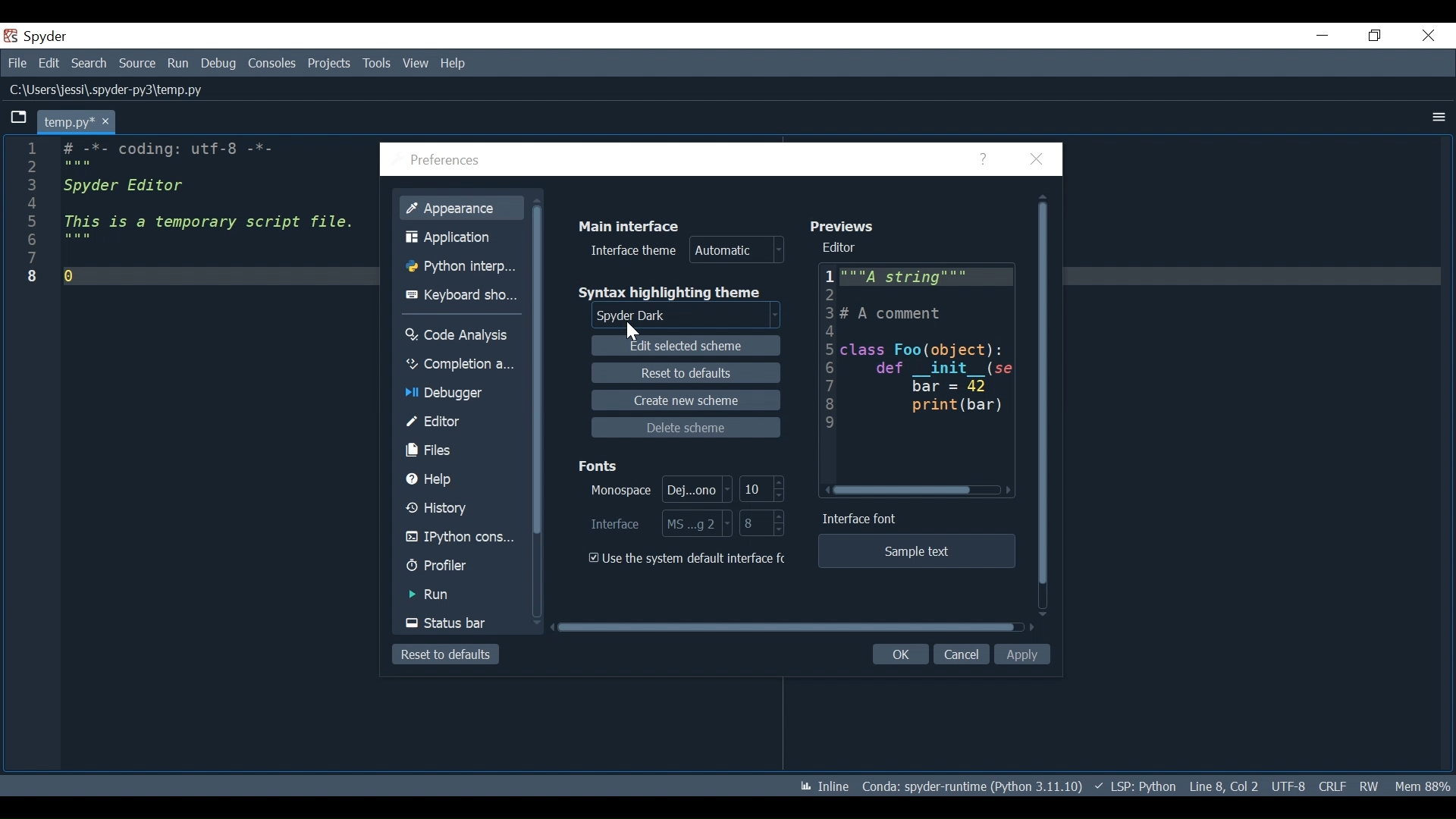 This screenshot has height=819, width=1456. What do you see at coordinates (972, 784) in the screenshot?
I see `Conda Environment Indicator` at bounding box center [972, 784].